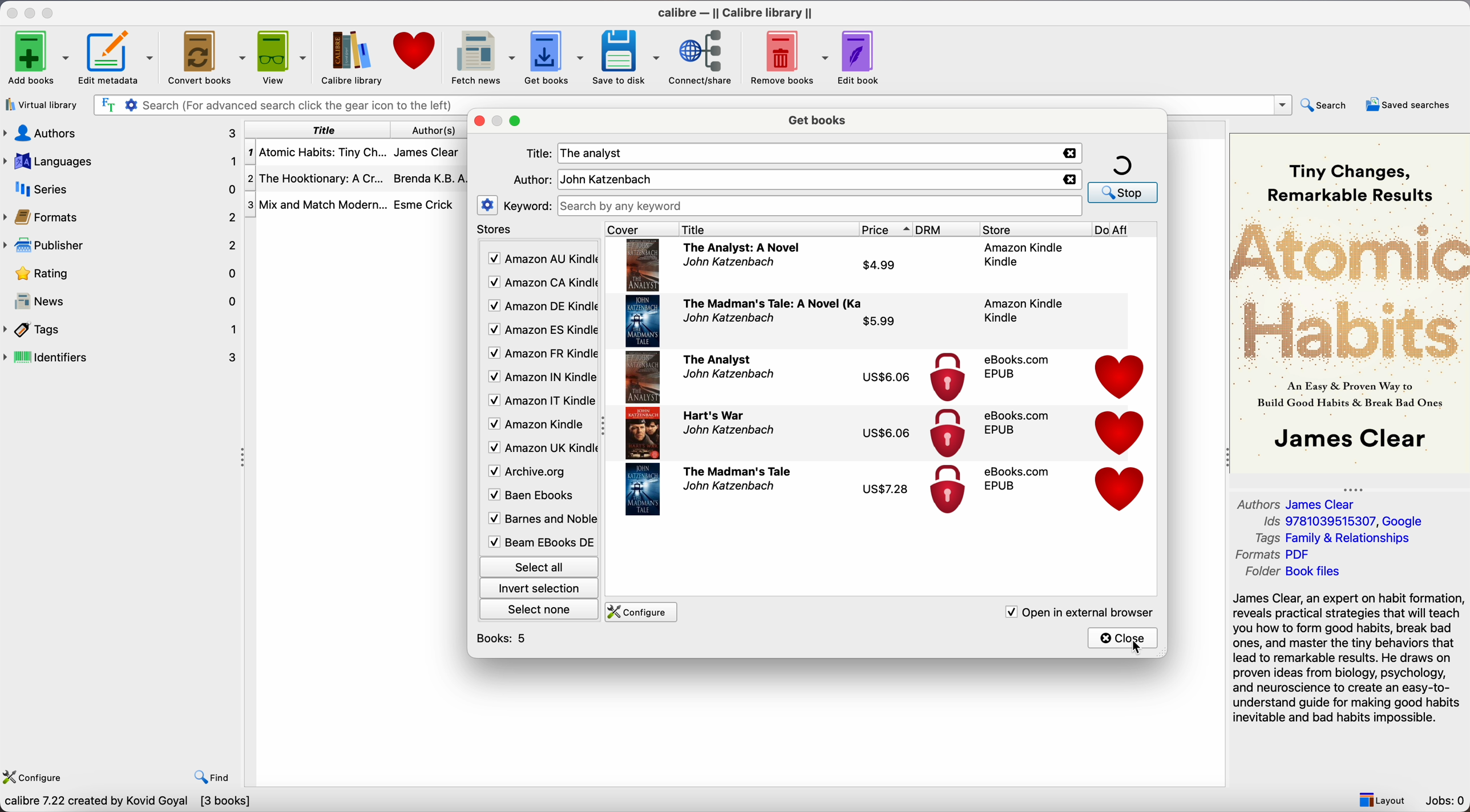  Describe the element at coordinates (879, 266) in the screenshot. I see `$4.99` at that location.